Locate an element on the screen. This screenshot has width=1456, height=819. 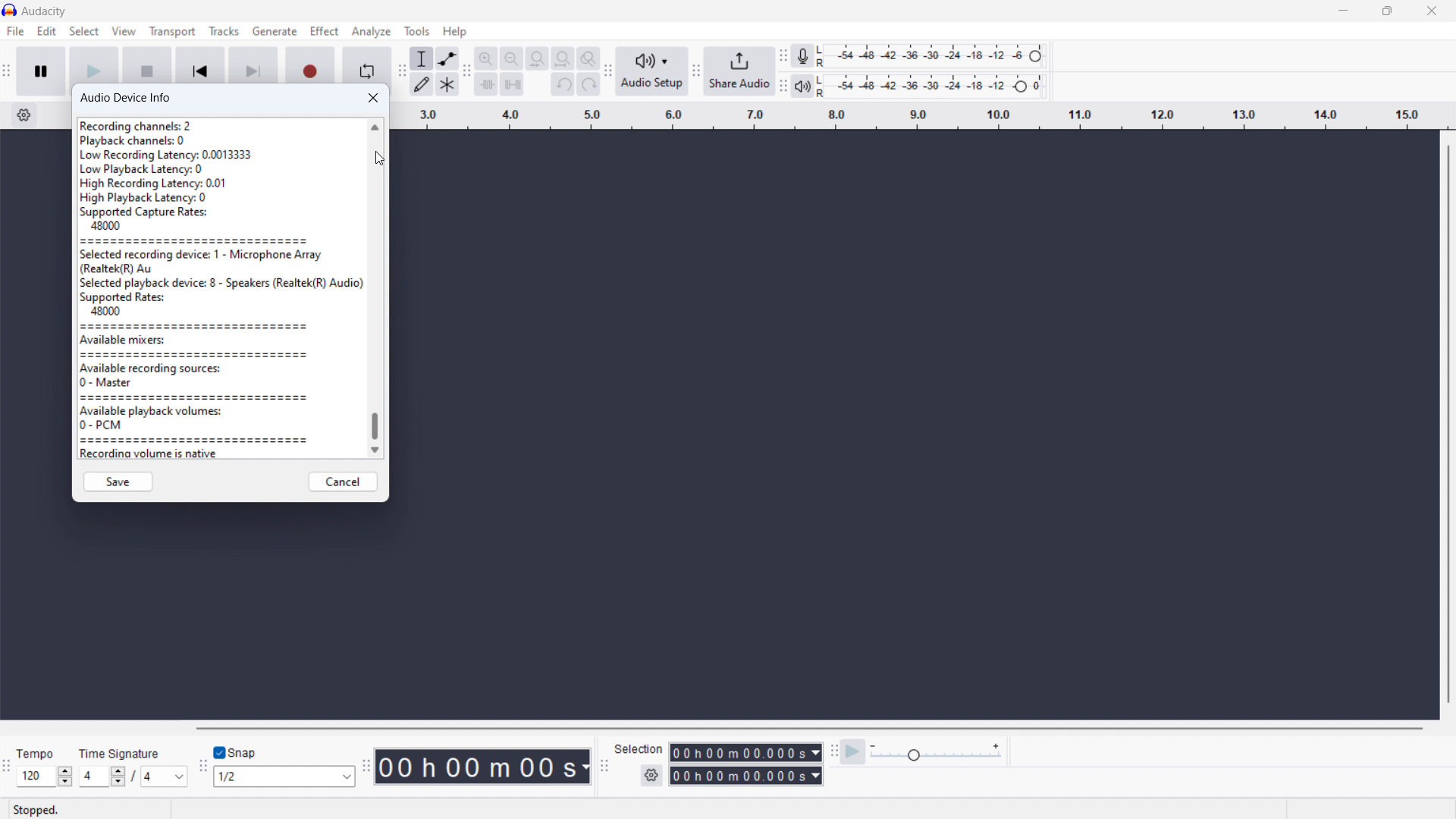
Tempo is located at coordinates (36, 753).